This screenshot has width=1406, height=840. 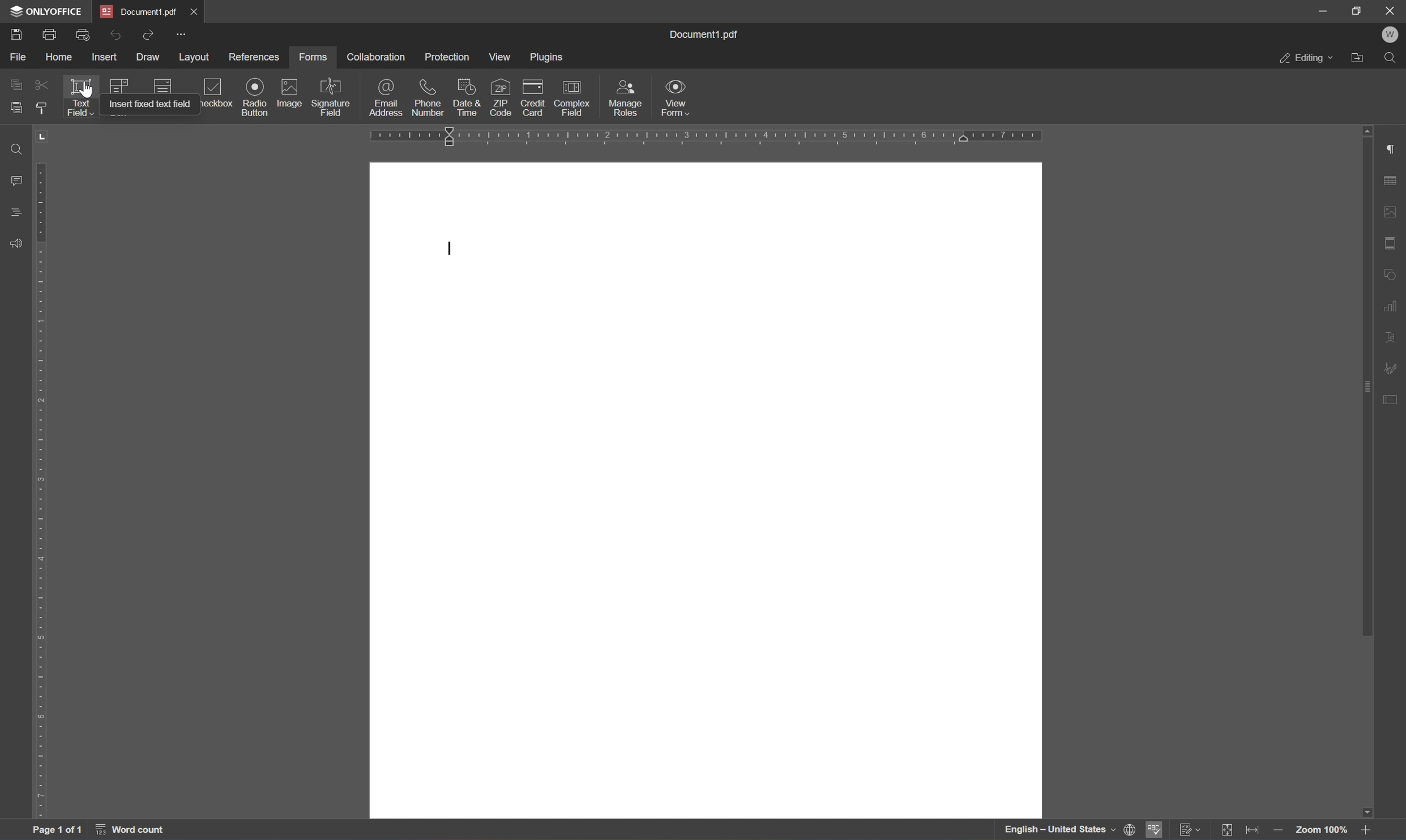 I want to click on quick print, so click(x=86, y=35).